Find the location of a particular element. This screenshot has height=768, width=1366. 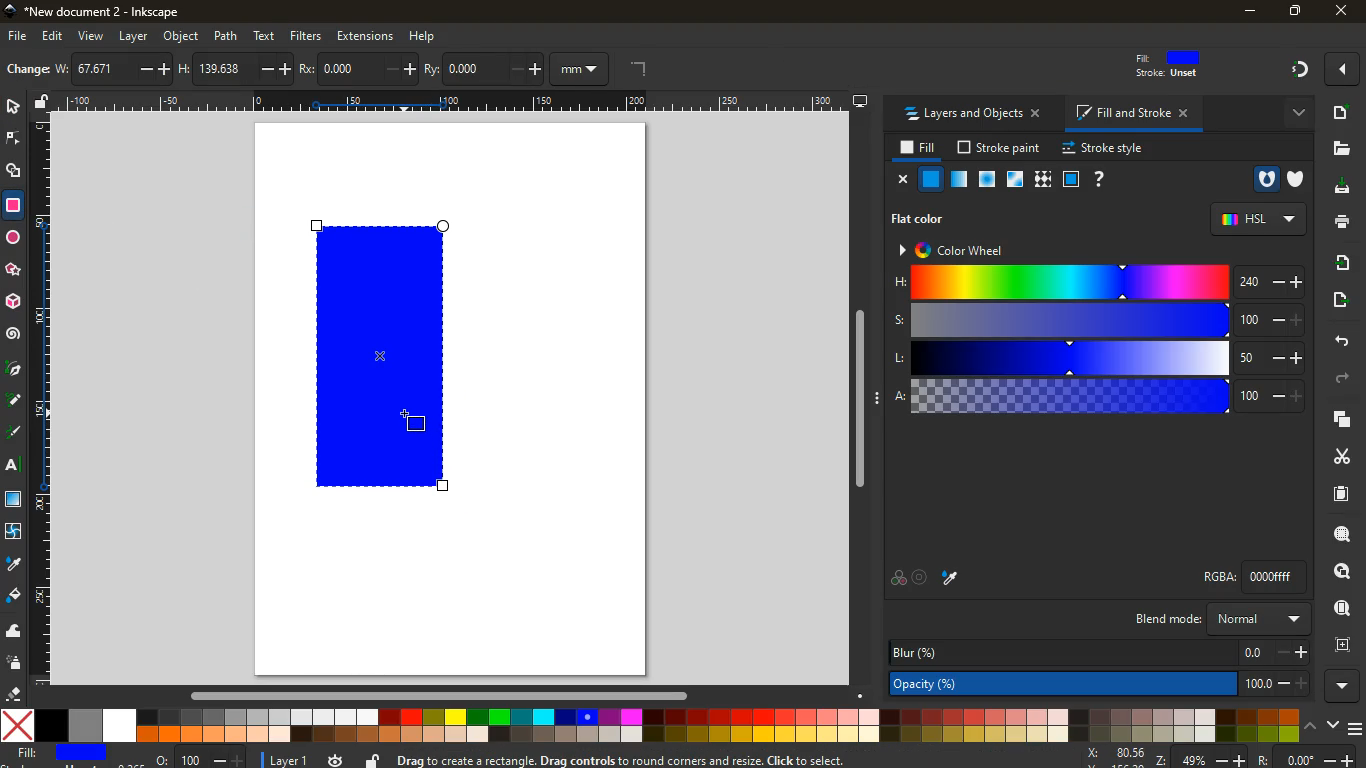

angle is located at coordinates (641, 66).